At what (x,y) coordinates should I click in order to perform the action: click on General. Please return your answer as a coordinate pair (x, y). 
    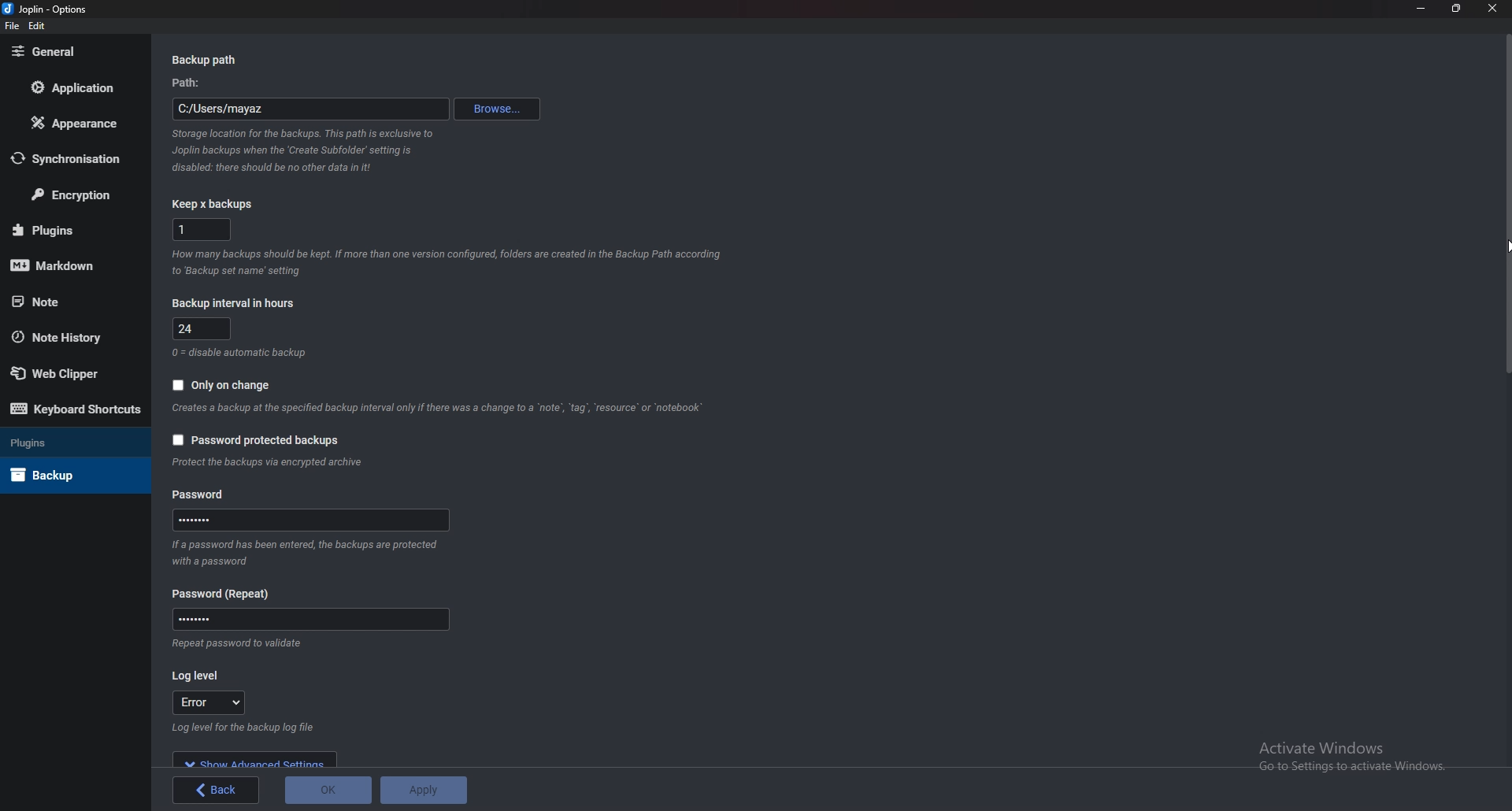
    Looking at the image, I should click on (69, 52).